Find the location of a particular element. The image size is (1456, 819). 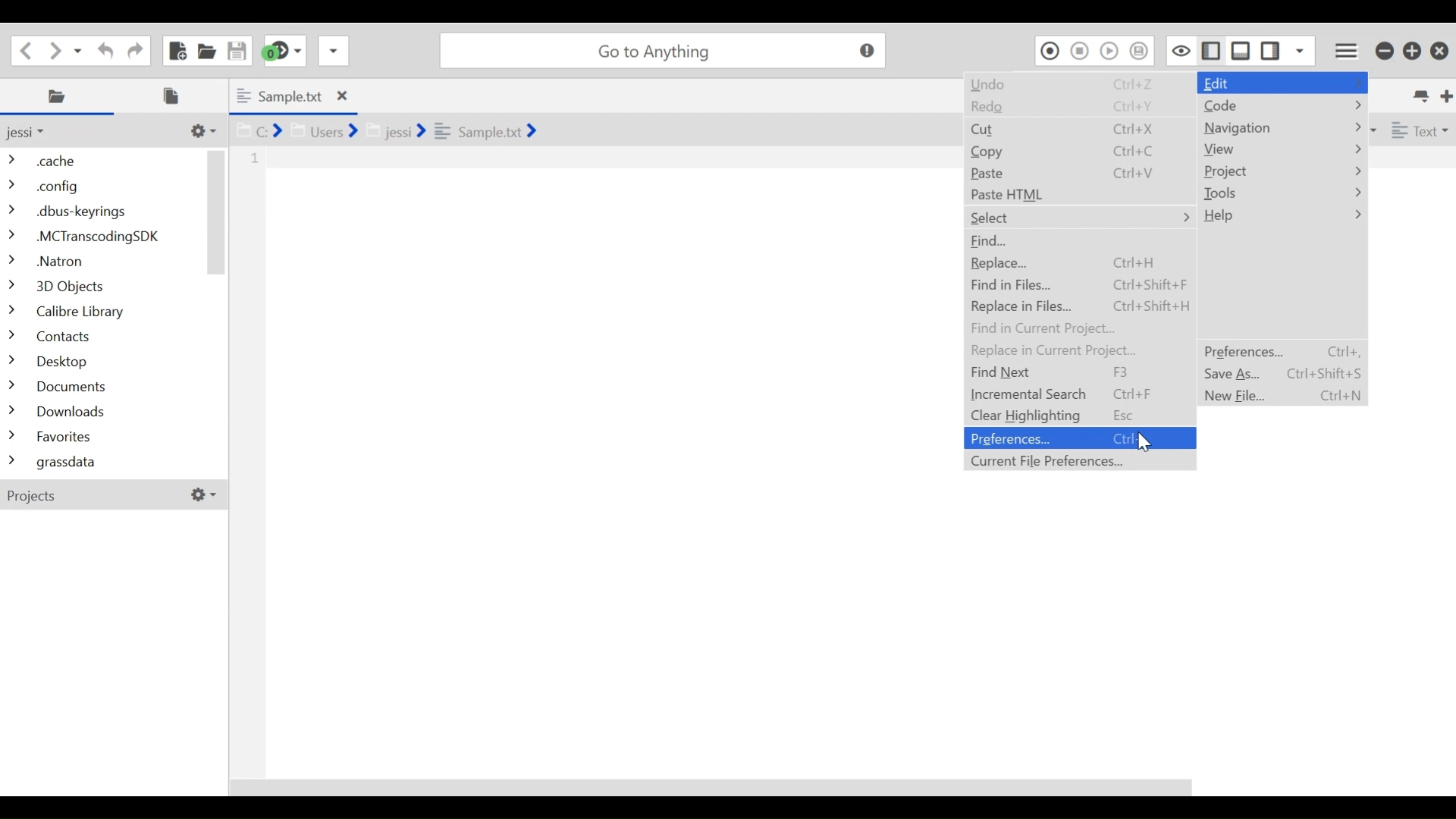

Edit is located at coordinates (1285, 83).